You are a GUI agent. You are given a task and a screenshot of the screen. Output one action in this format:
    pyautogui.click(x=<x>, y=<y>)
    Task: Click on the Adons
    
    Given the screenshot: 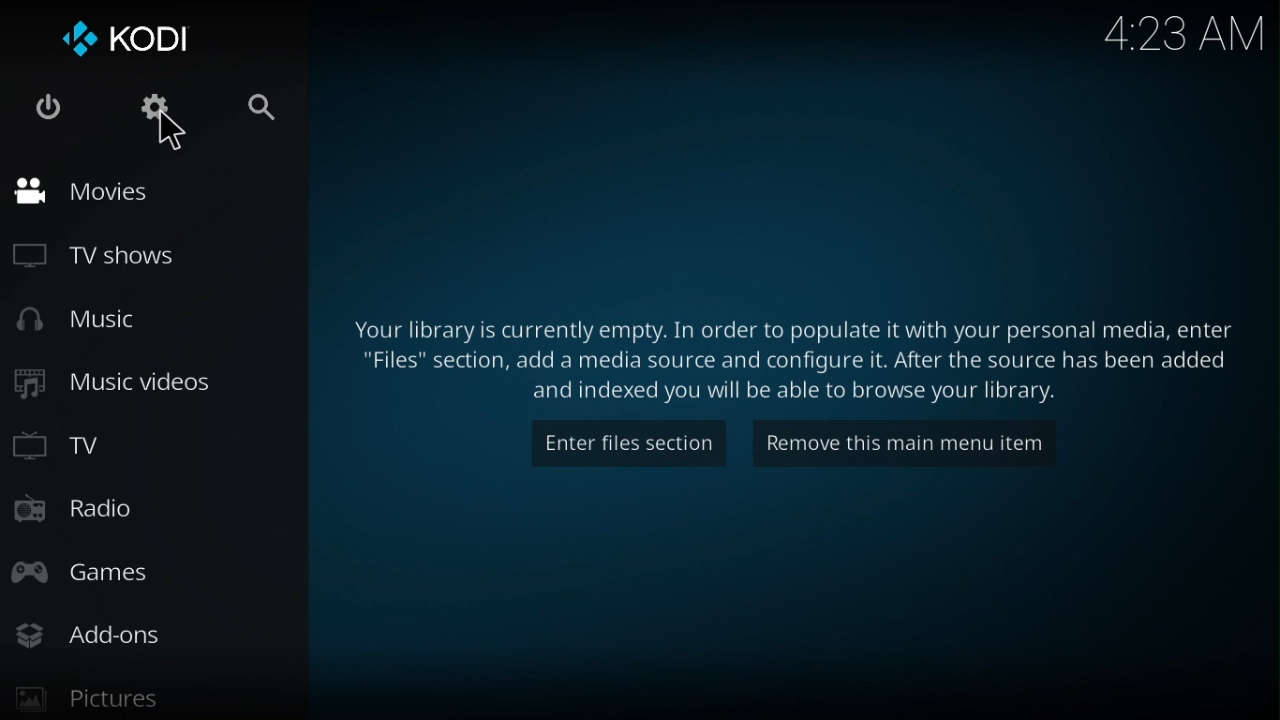 What is the action you would take?
    pyautogui.click(x=88, y=633)
    